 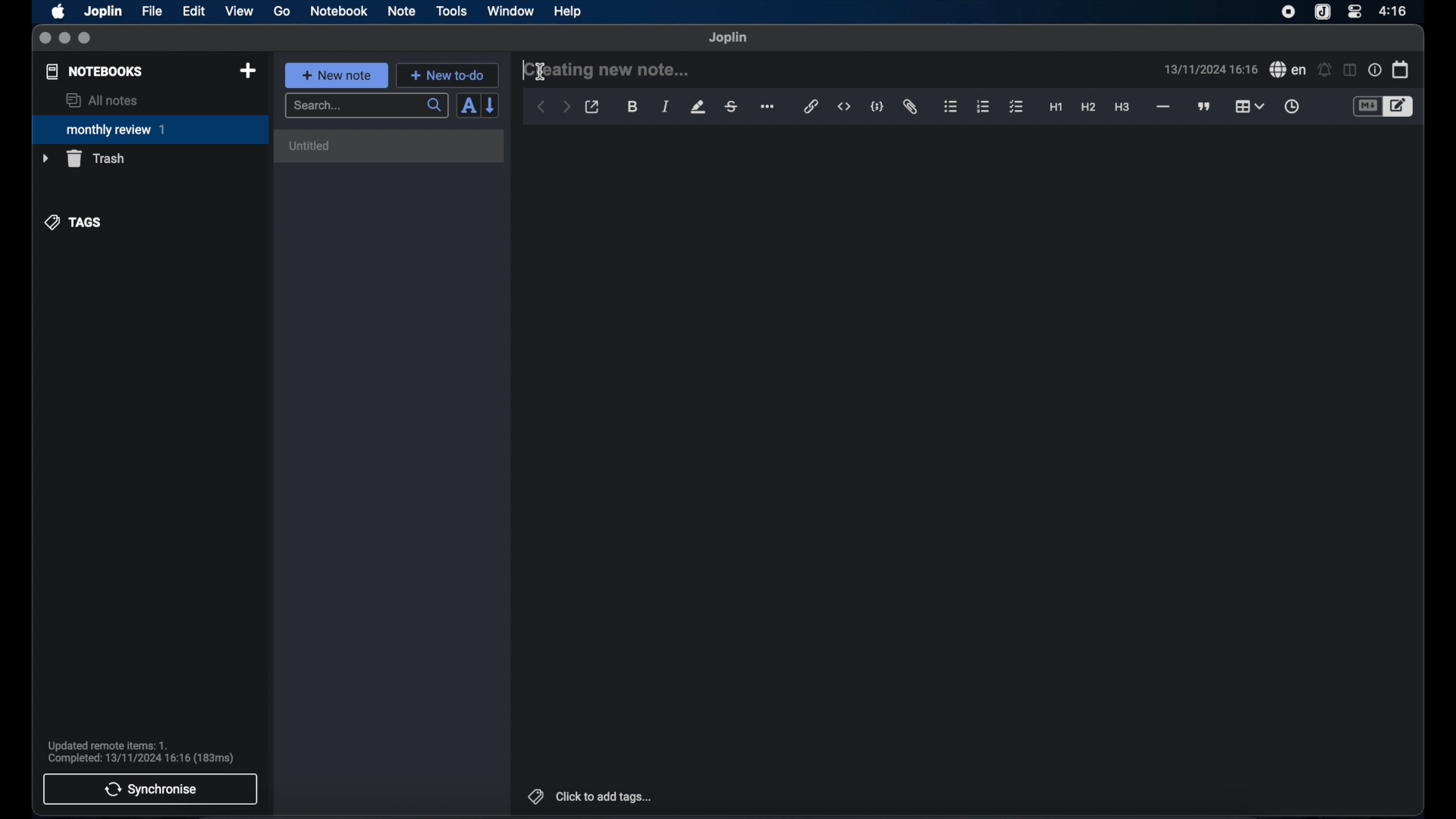 I want to click on code, so click(x=877, y=108).